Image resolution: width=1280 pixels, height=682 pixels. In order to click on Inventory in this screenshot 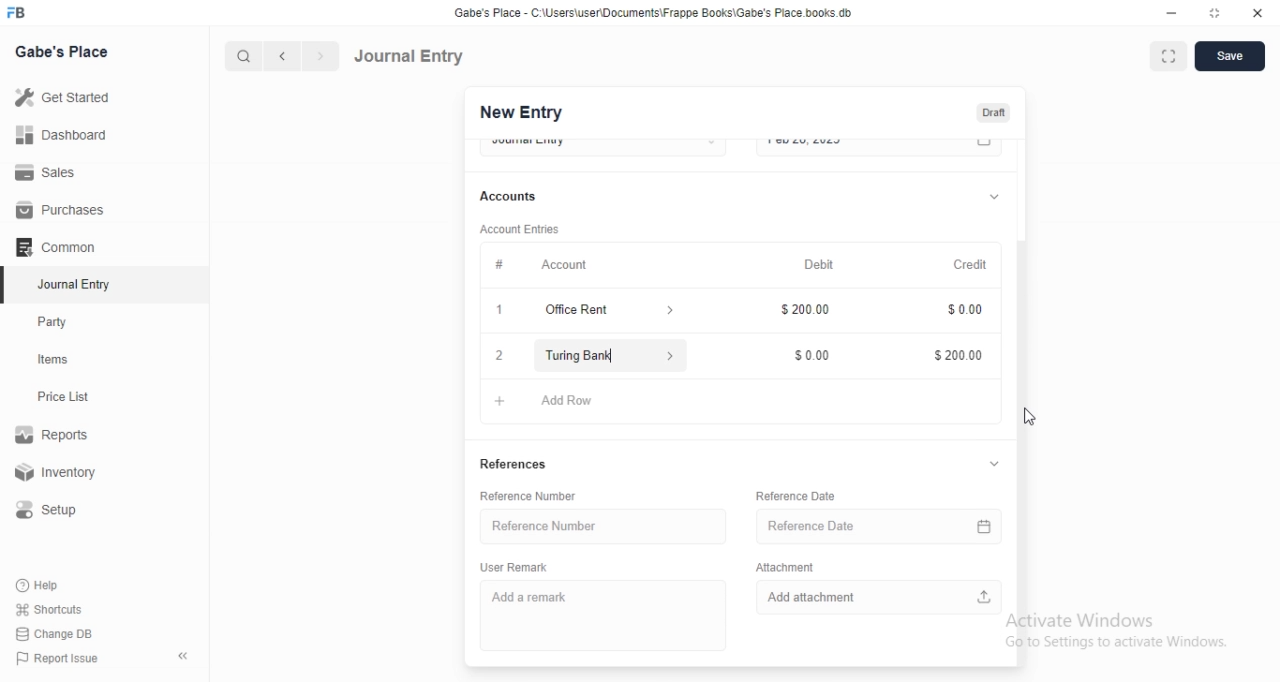, I will do `click(59, 474)`.